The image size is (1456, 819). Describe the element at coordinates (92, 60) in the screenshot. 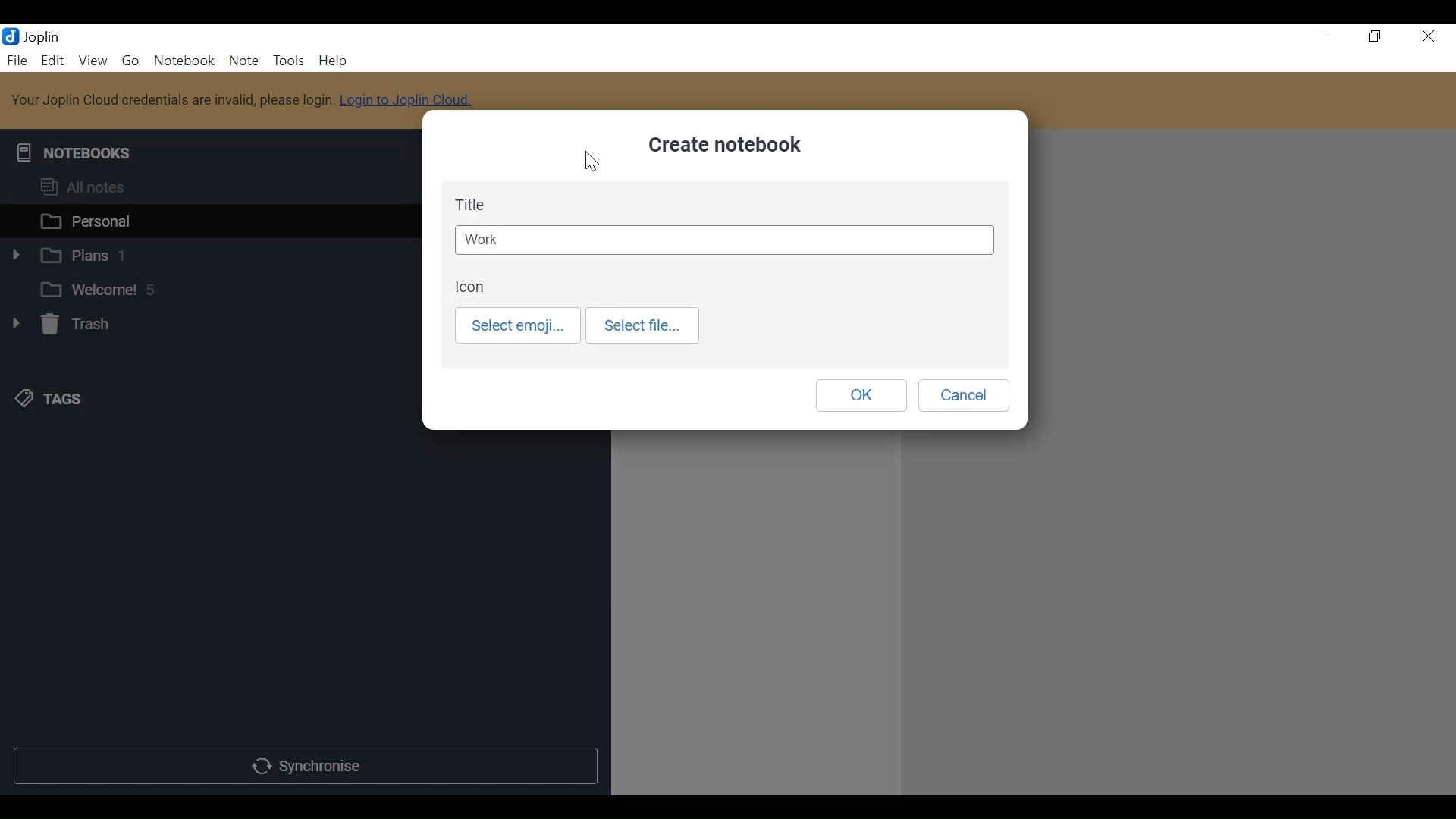

I see `View` at that location.